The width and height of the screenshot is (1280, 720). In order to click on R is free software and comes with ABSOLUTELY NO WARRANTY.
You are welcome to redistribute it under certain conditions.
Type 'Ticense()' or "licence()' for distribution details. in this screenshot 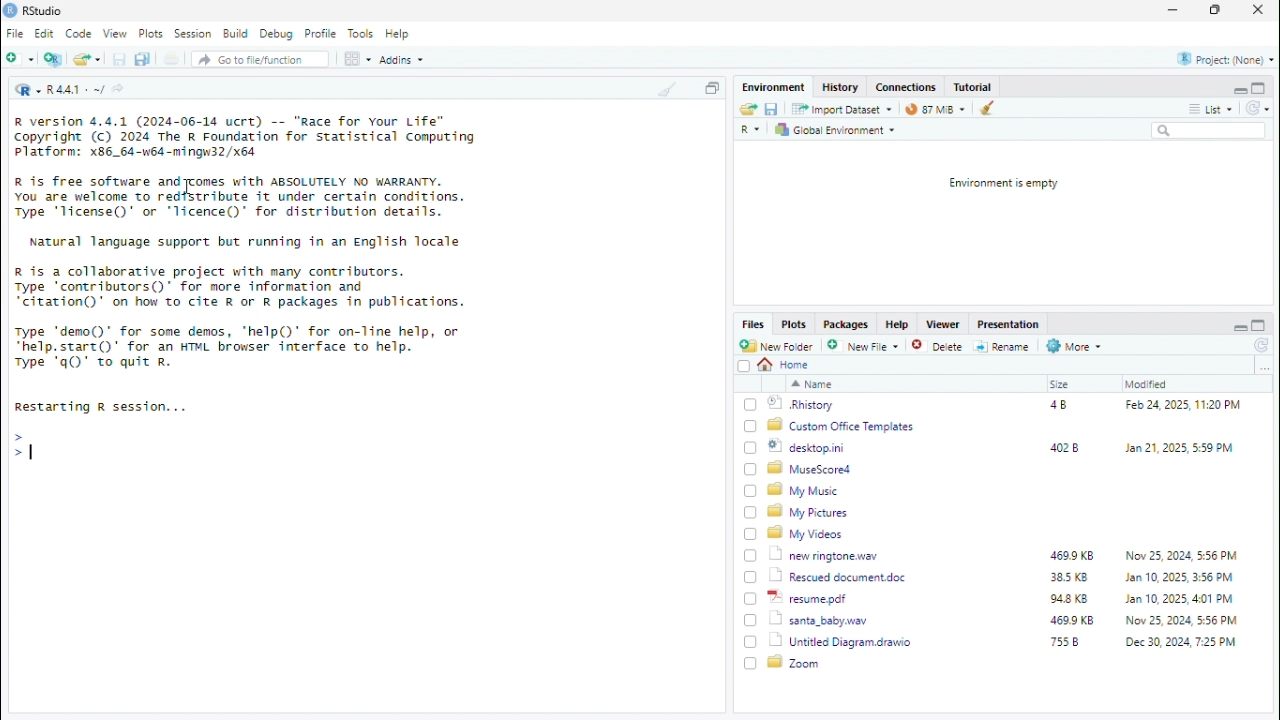, I will do `click(242, 199)`.